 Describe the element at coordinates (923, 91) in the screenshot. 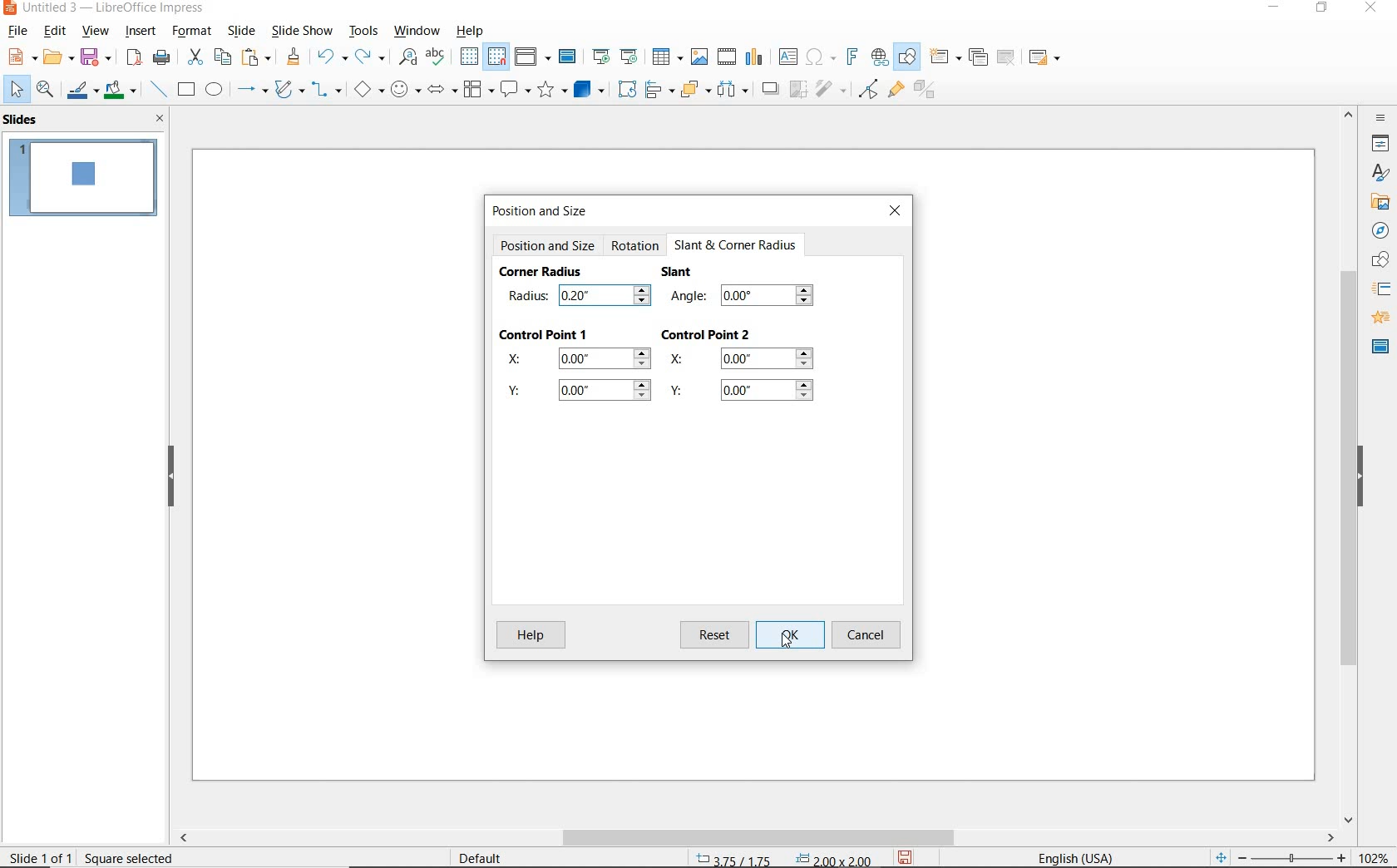

I see `toggle extrusion` at that location.